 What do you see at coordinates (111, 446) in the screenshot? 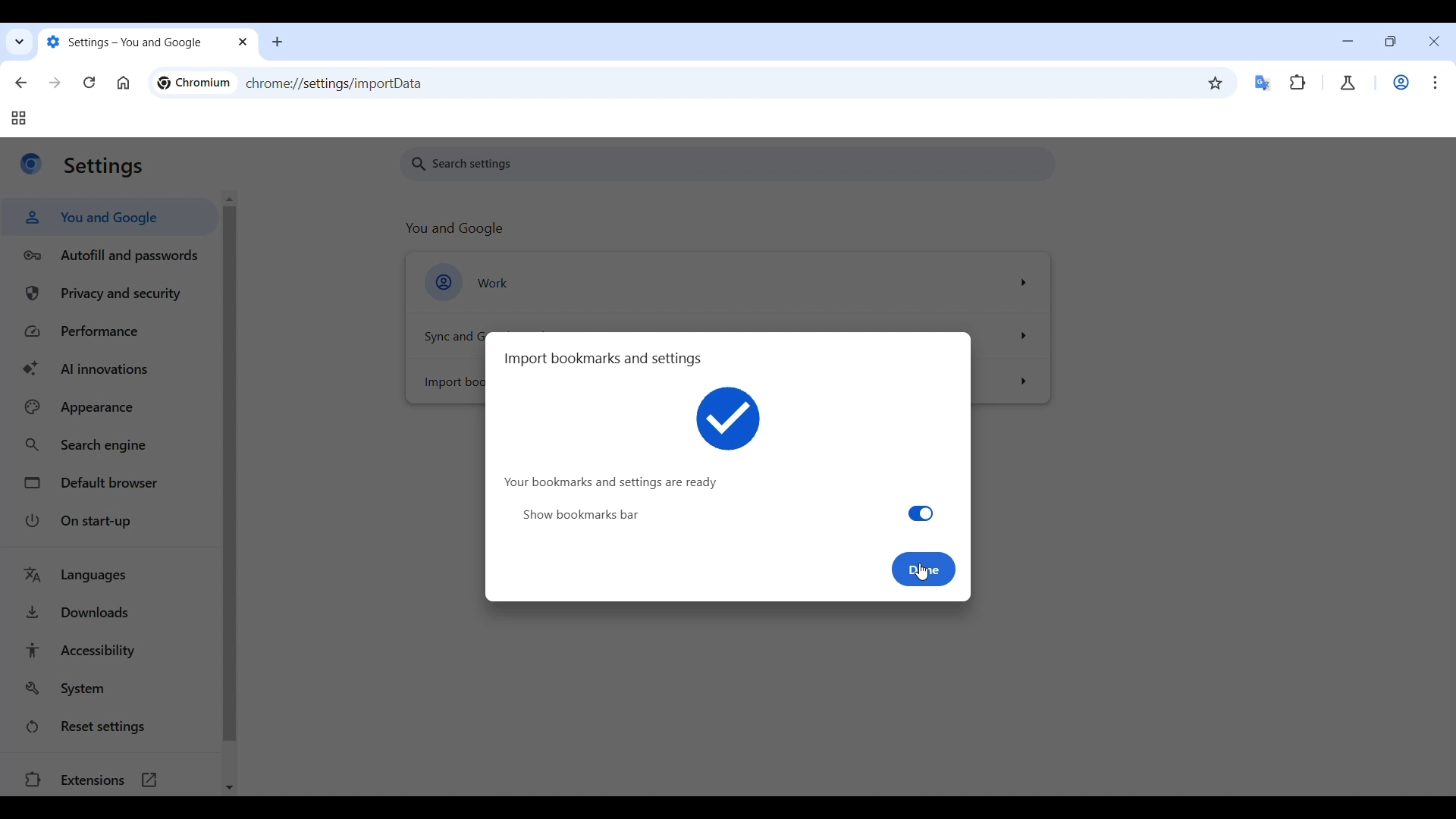
I see `Search engine` at bounding box center [111, 446].